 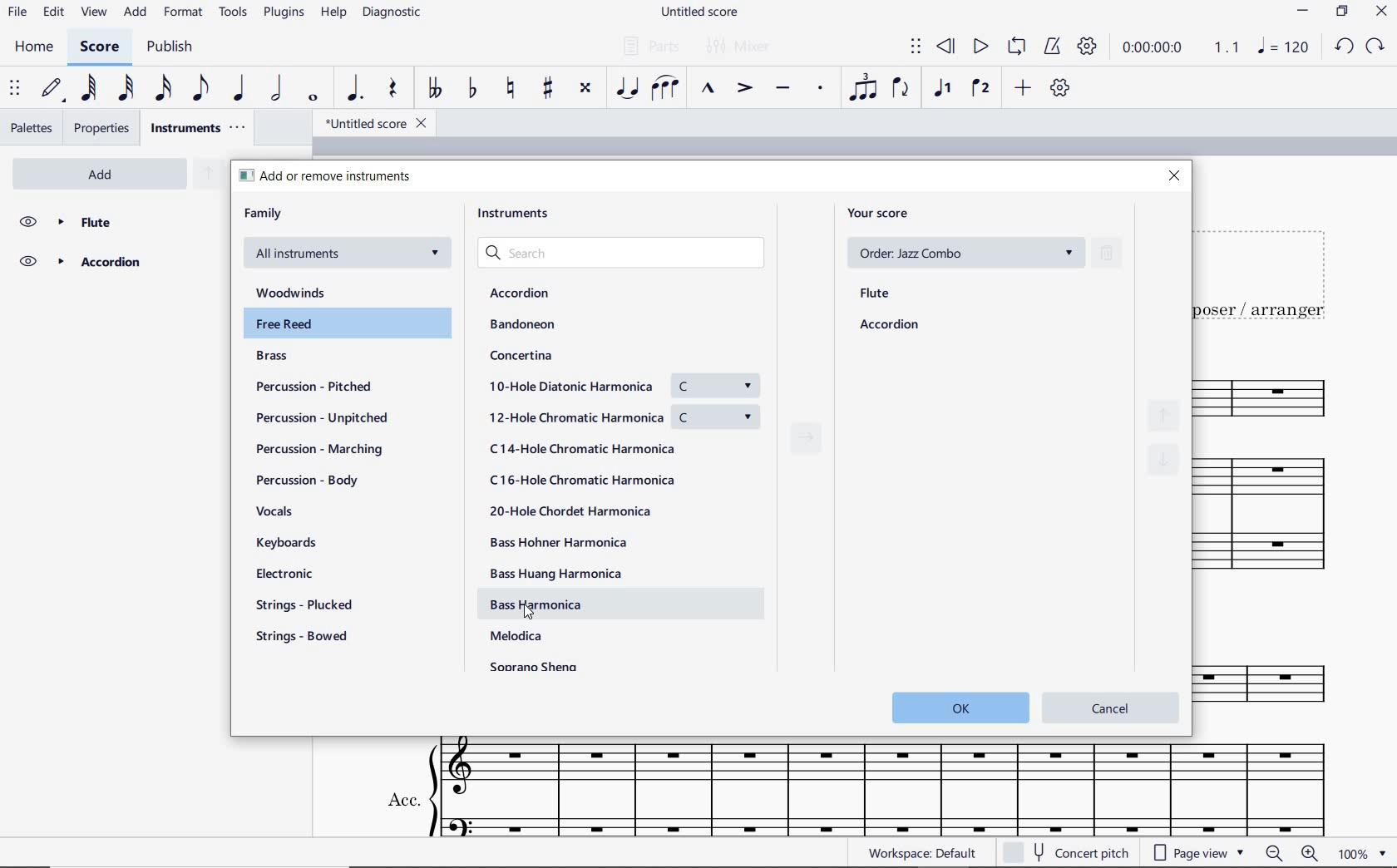 What do you see at coordinates (32, 128) in the screenshot?
I see `palettes` at bounding box center [32, 128].